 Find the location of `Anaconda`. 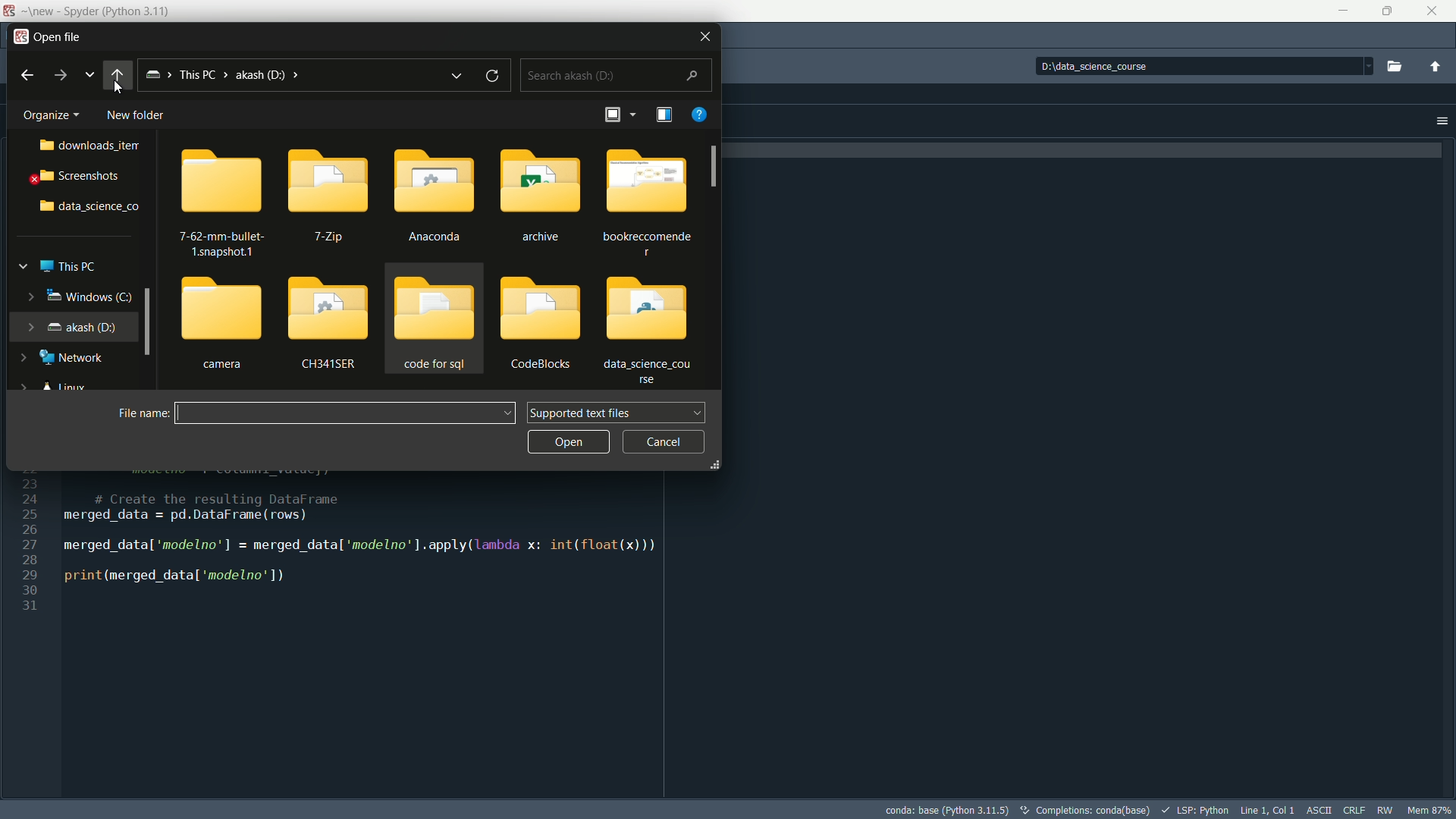

Anaconda is located at coordinates (436, 197).